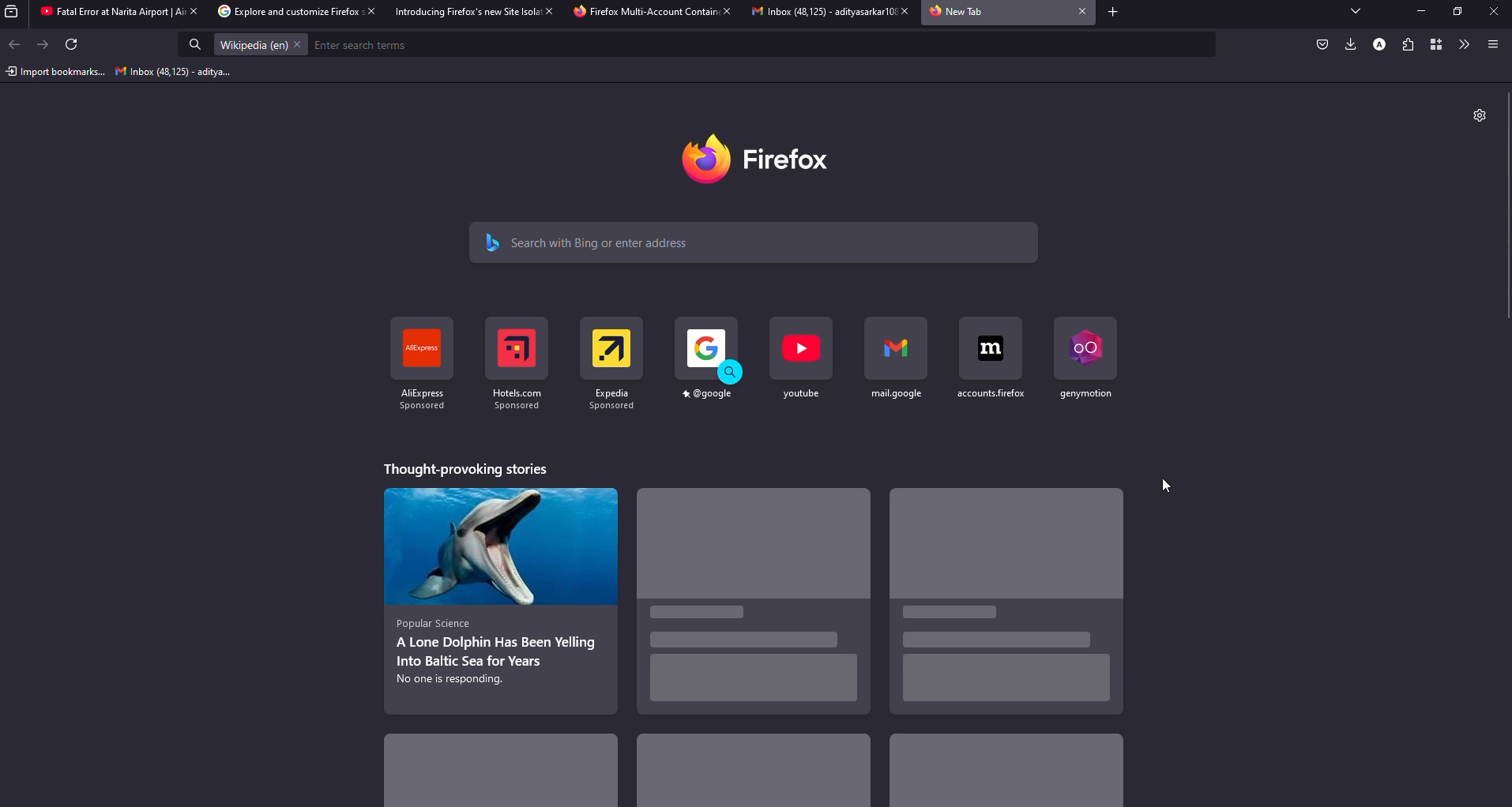  Describe the element at coordinates (504, 766) in the screenshot. I see `stories` at that location.